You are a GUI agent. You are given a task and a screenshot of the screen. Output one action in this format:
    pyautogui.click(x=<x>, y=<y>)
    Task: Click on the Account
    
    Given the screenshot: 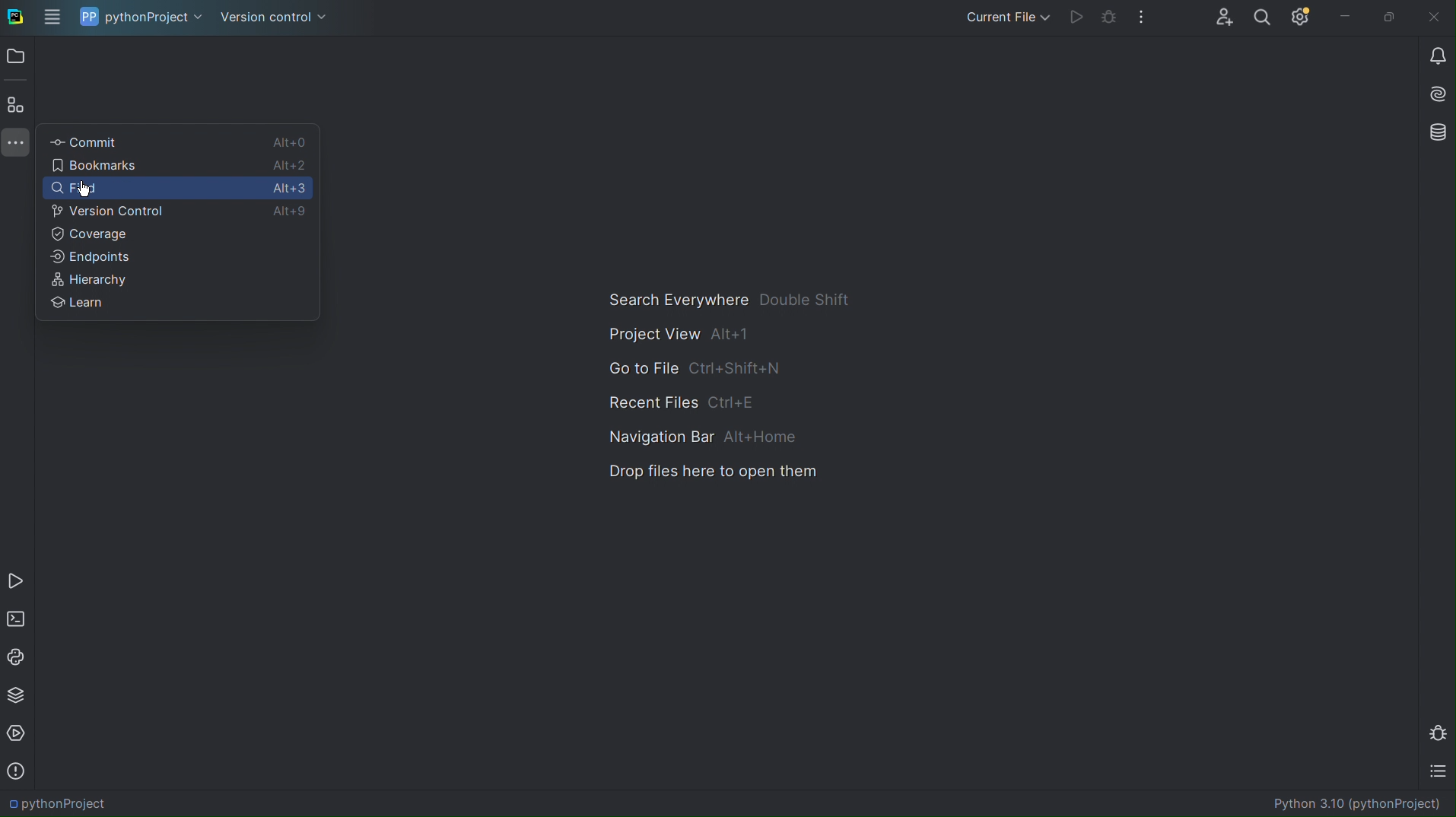 What is the action you would take?
    pyautogui.click(x=1223, y=17)
    